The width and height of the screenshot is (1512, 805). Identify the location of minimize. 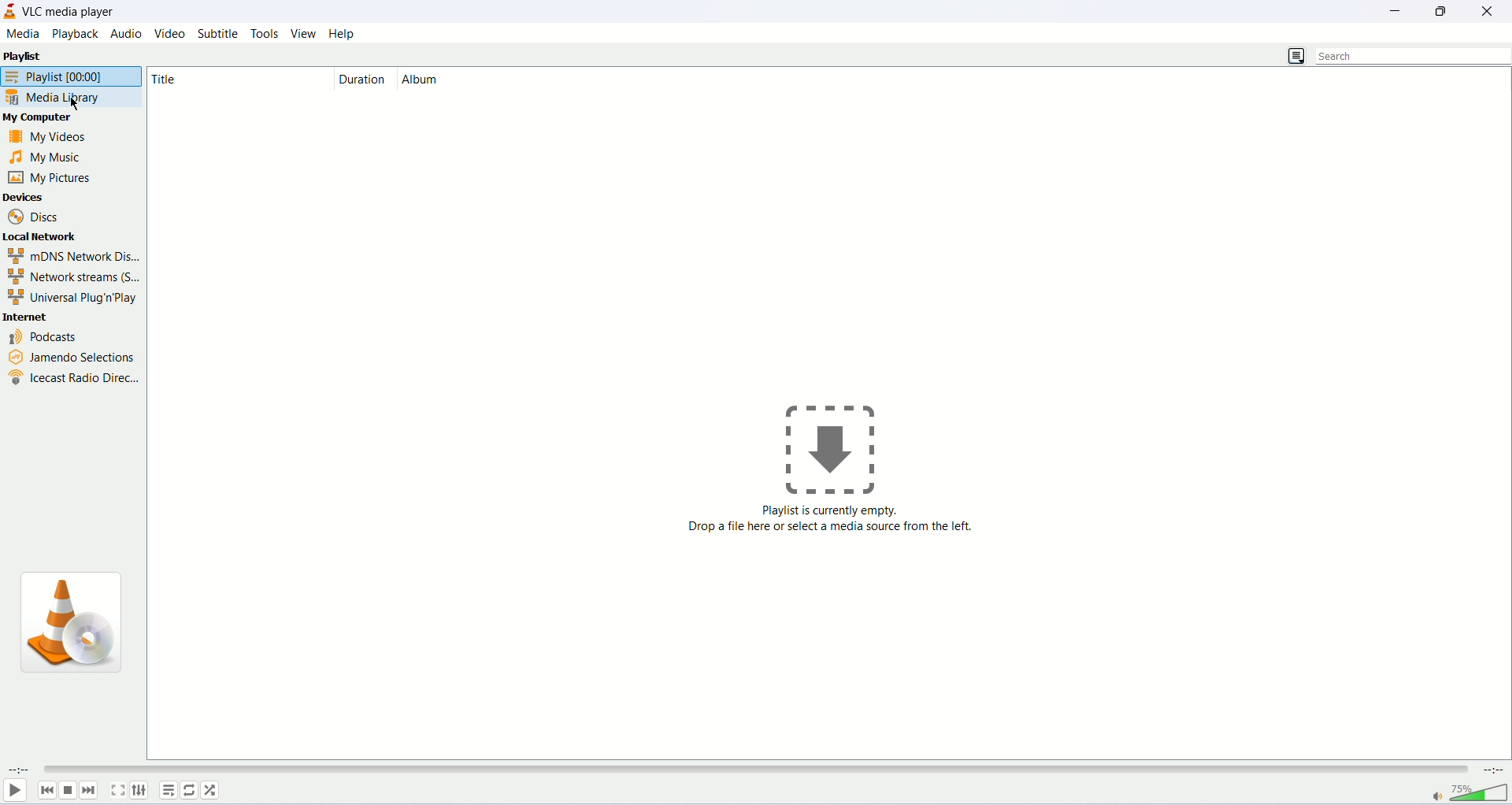
(1402, 9).